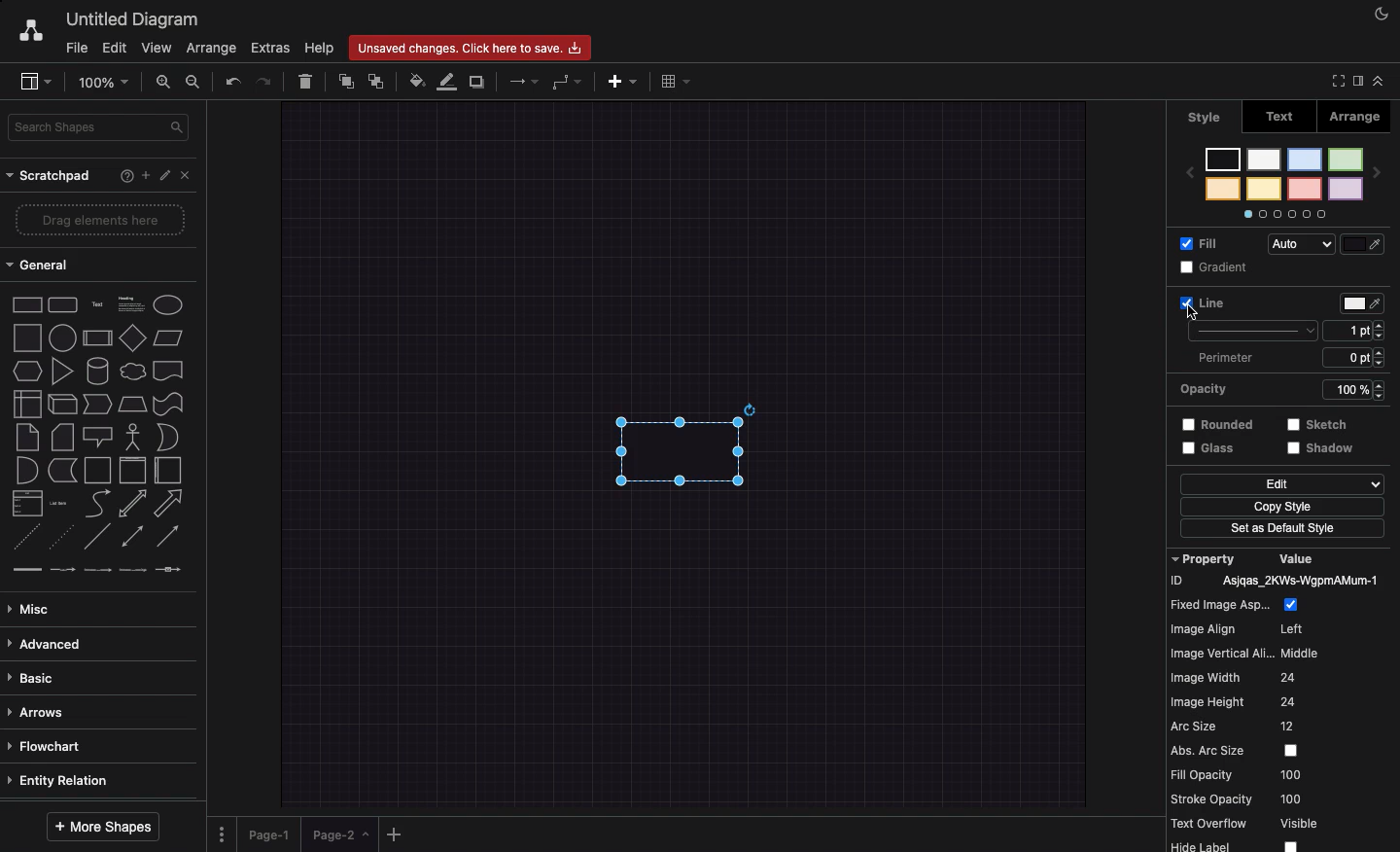  What do you see at coordinates (270, 49) in the screenshot?
I see `Extras` at bounding box center [270, 49].